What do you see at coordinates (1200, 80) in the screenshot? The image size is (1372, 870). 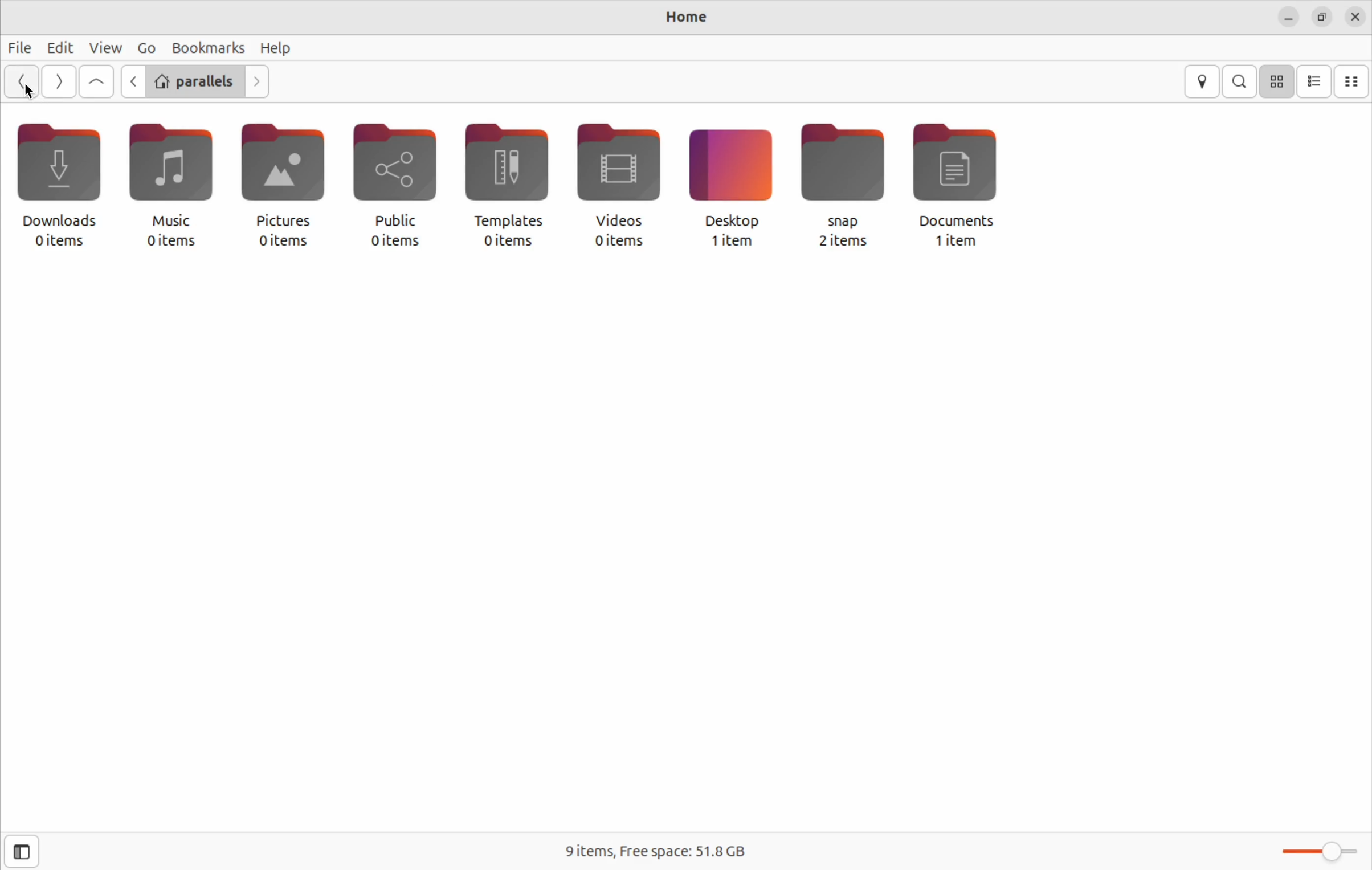 I see `location ` at bounding box center [1200, 80].